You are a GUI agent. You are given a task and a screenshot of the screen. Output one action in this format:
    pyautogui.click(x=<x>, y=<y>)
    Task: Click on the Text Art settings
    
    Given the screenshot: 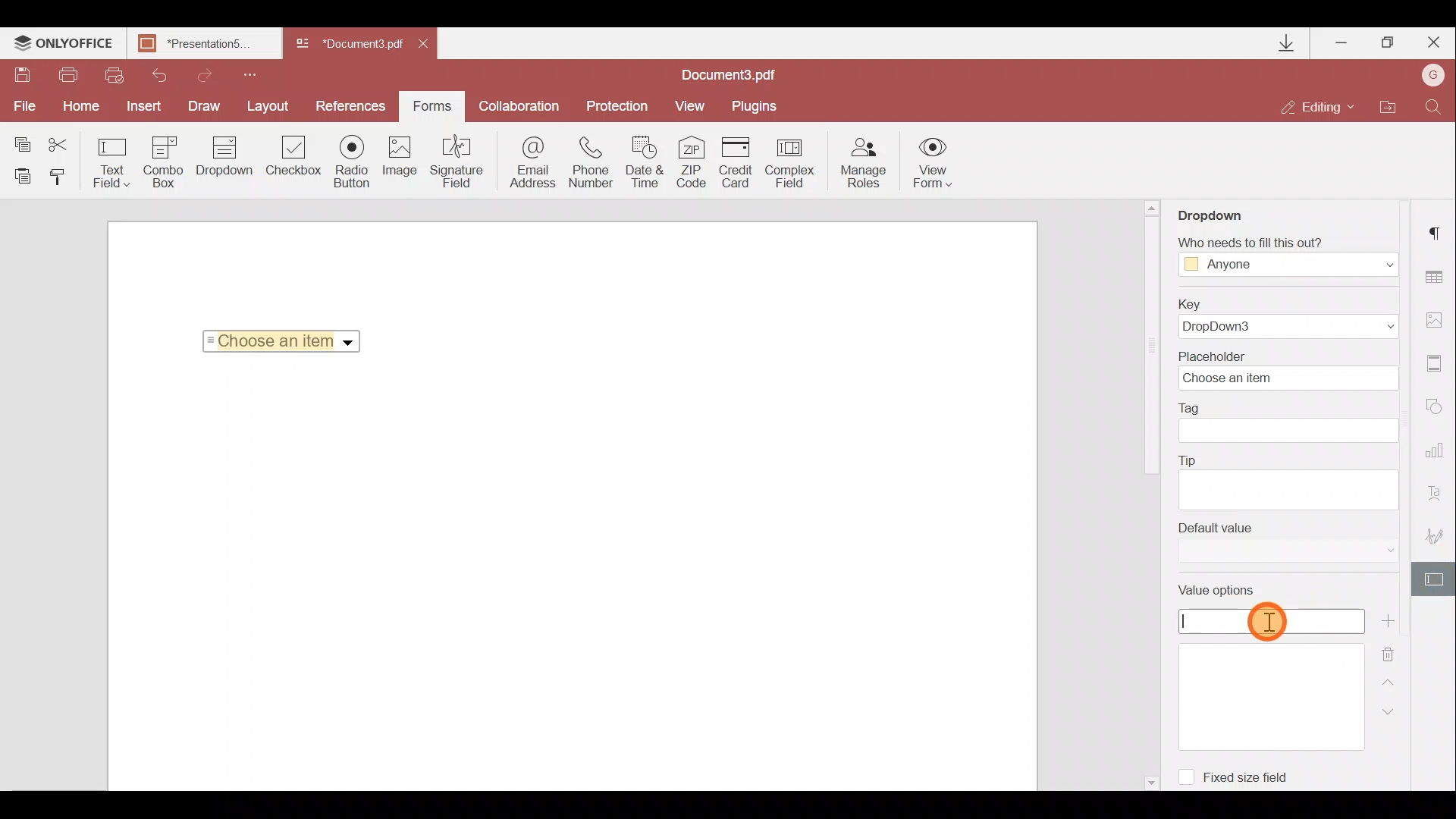 What is the action you would take?
    pyautogui.click(x=1439, y=491)
    